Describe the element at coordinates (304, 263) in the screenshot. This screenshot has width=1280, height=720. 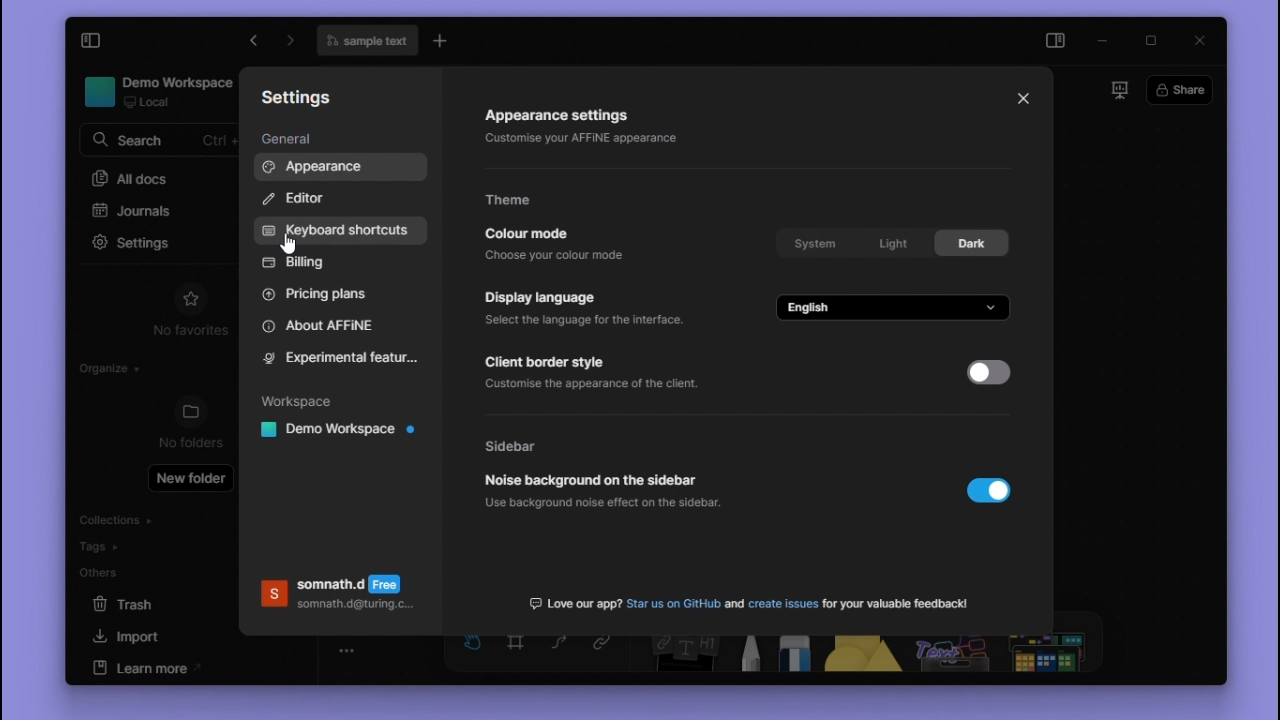
I see `Billing` at that location.